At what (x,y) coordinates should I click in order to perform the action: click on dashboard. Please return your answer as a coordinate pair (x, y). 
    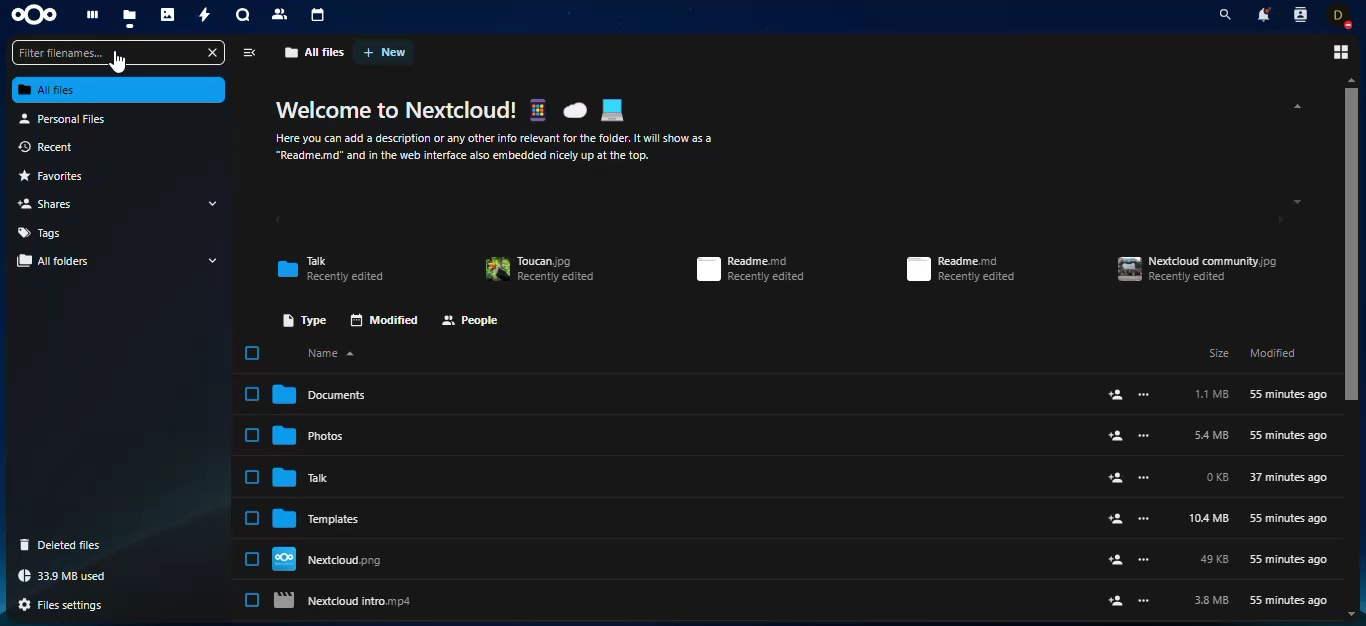
    Looking at the image, I should click on (93, 16).